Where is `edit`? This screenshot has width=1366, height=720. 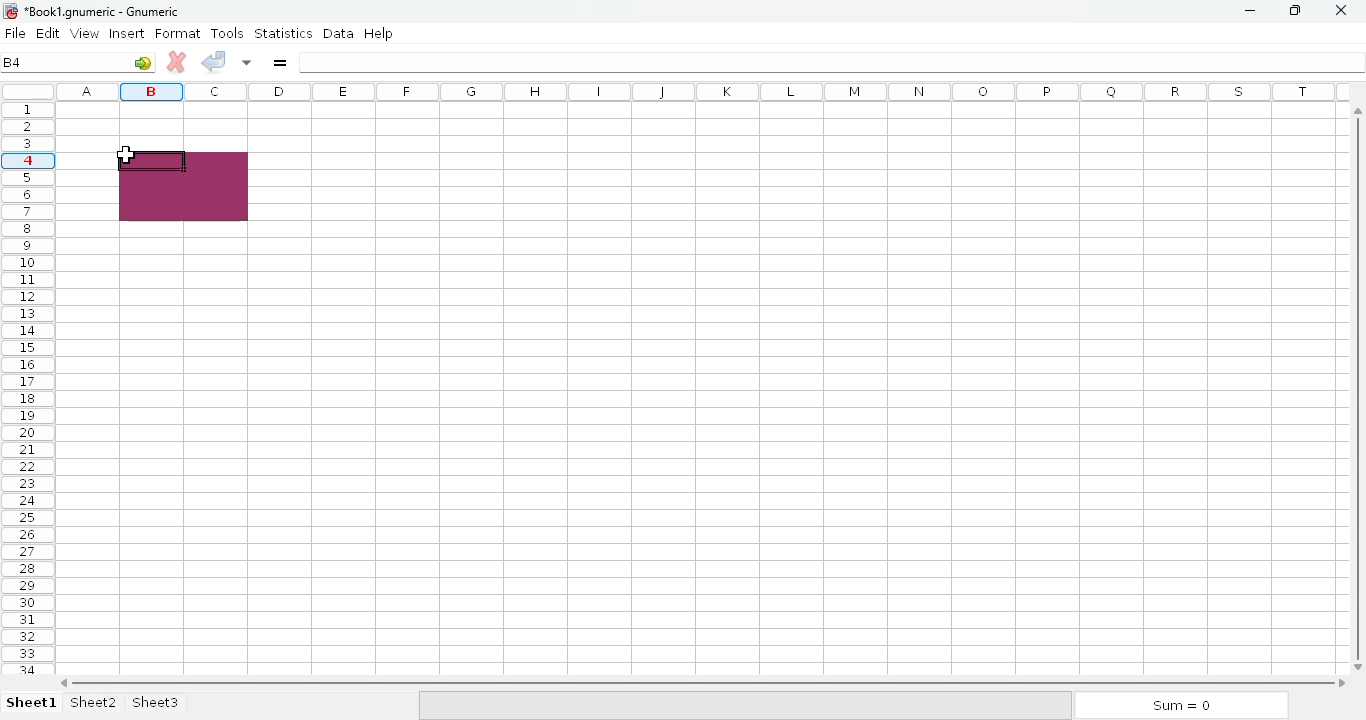
edit is located at coordinates (49, 32).